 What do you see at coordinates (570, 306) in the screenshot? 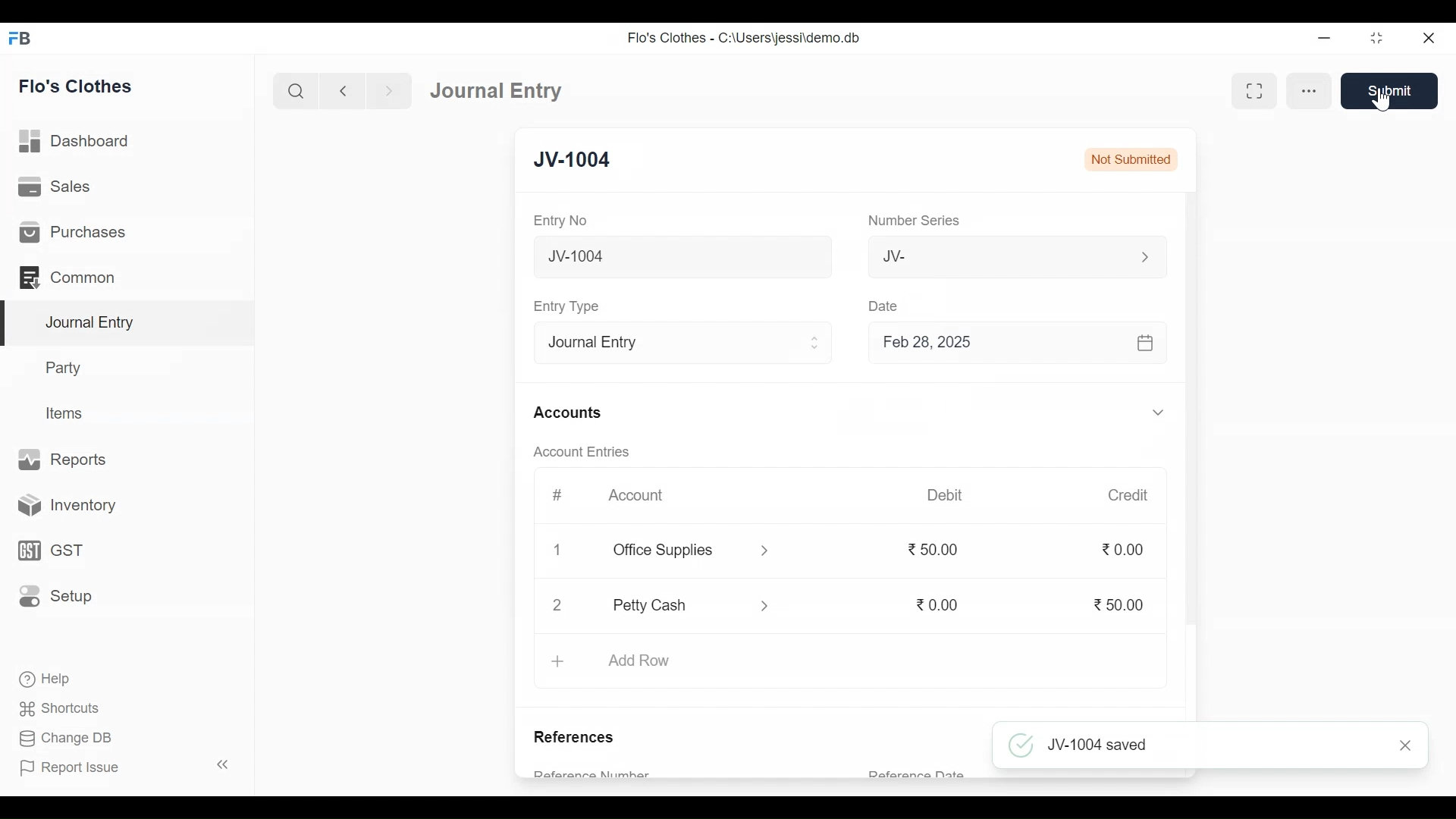
I see `Entry Type` at bounding box center [570, 306].